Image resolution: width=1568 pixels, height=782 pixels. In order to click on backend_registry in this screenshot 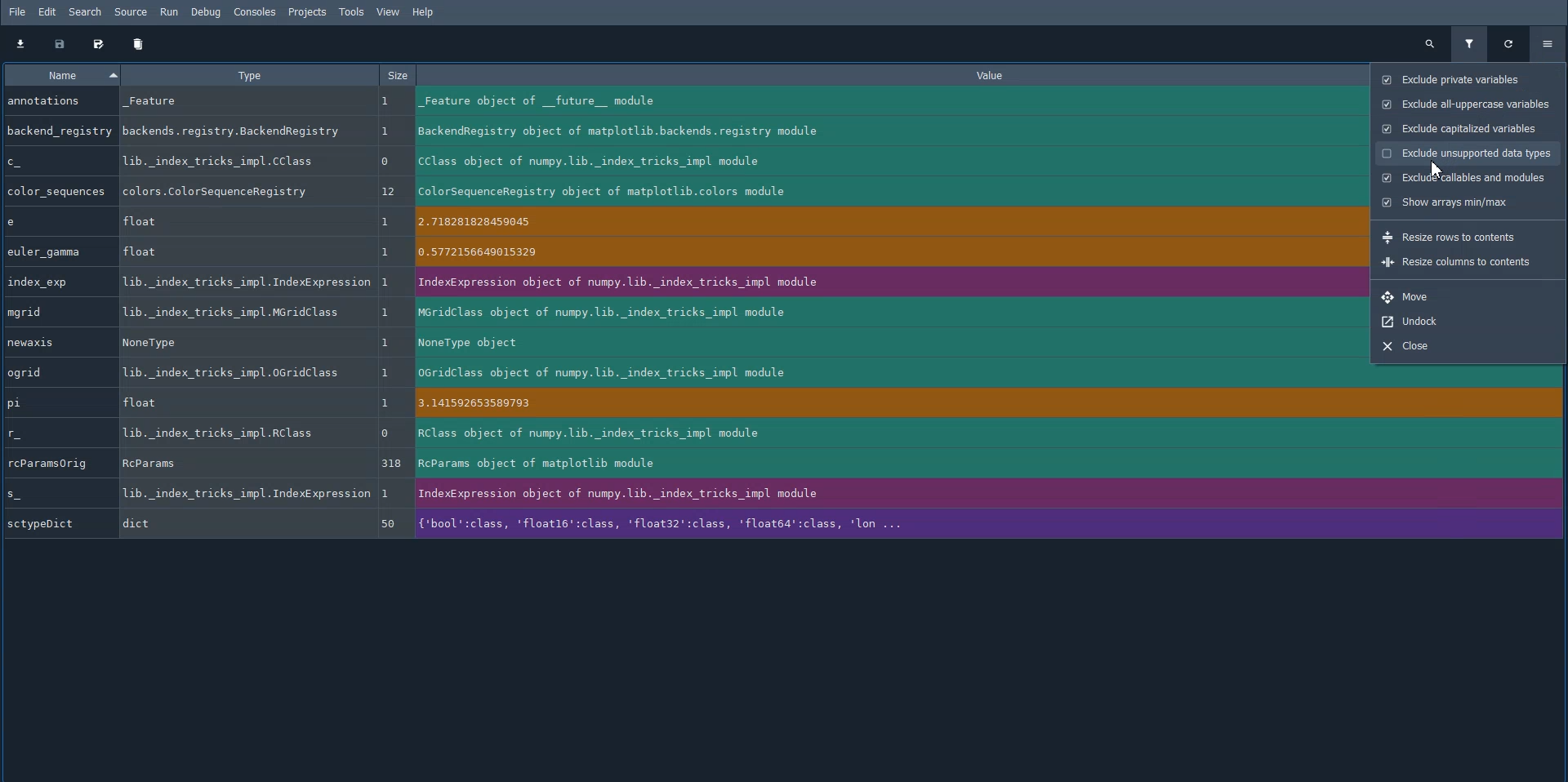, I will do `click(58, 130)`.